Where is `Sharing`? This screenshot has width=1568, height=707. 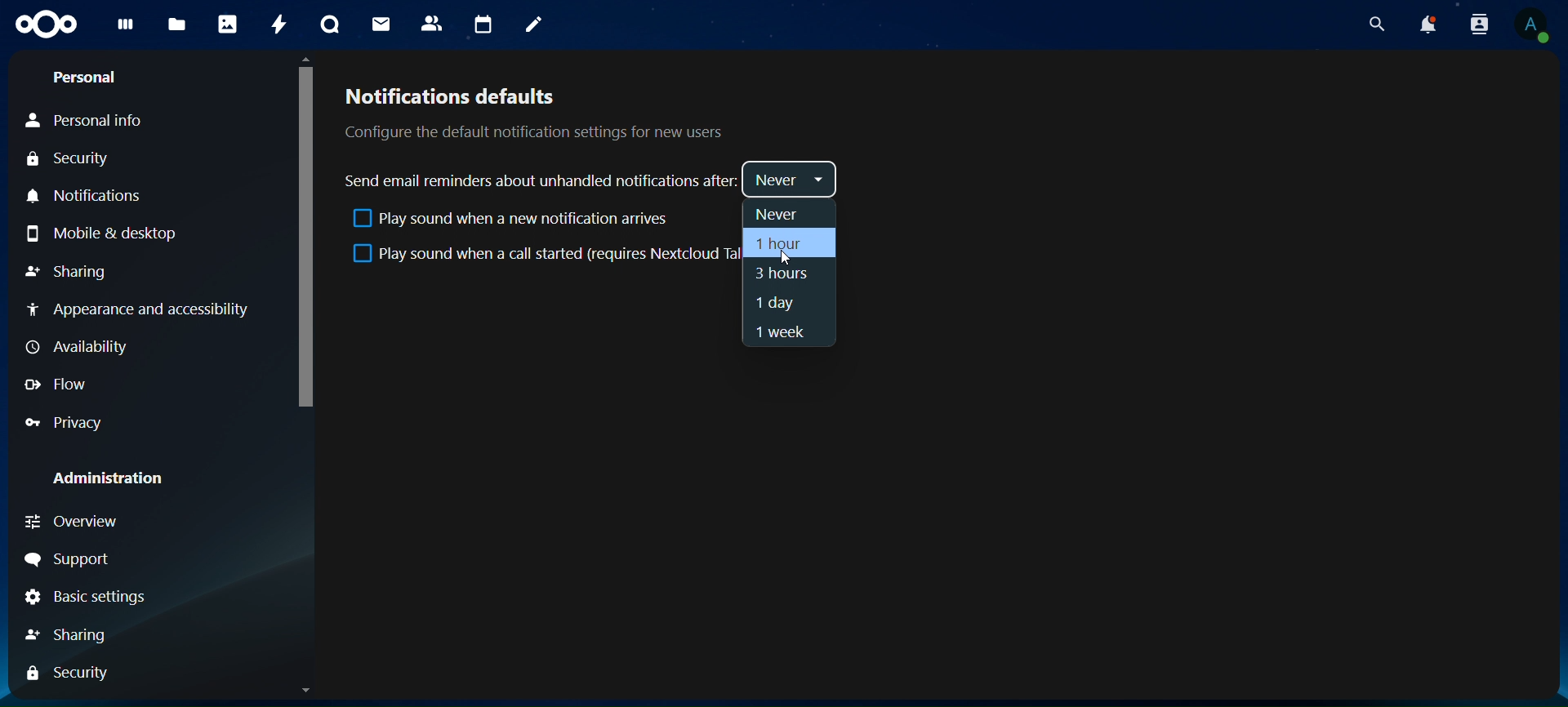
Sharing is located at coordinates (69, 636).